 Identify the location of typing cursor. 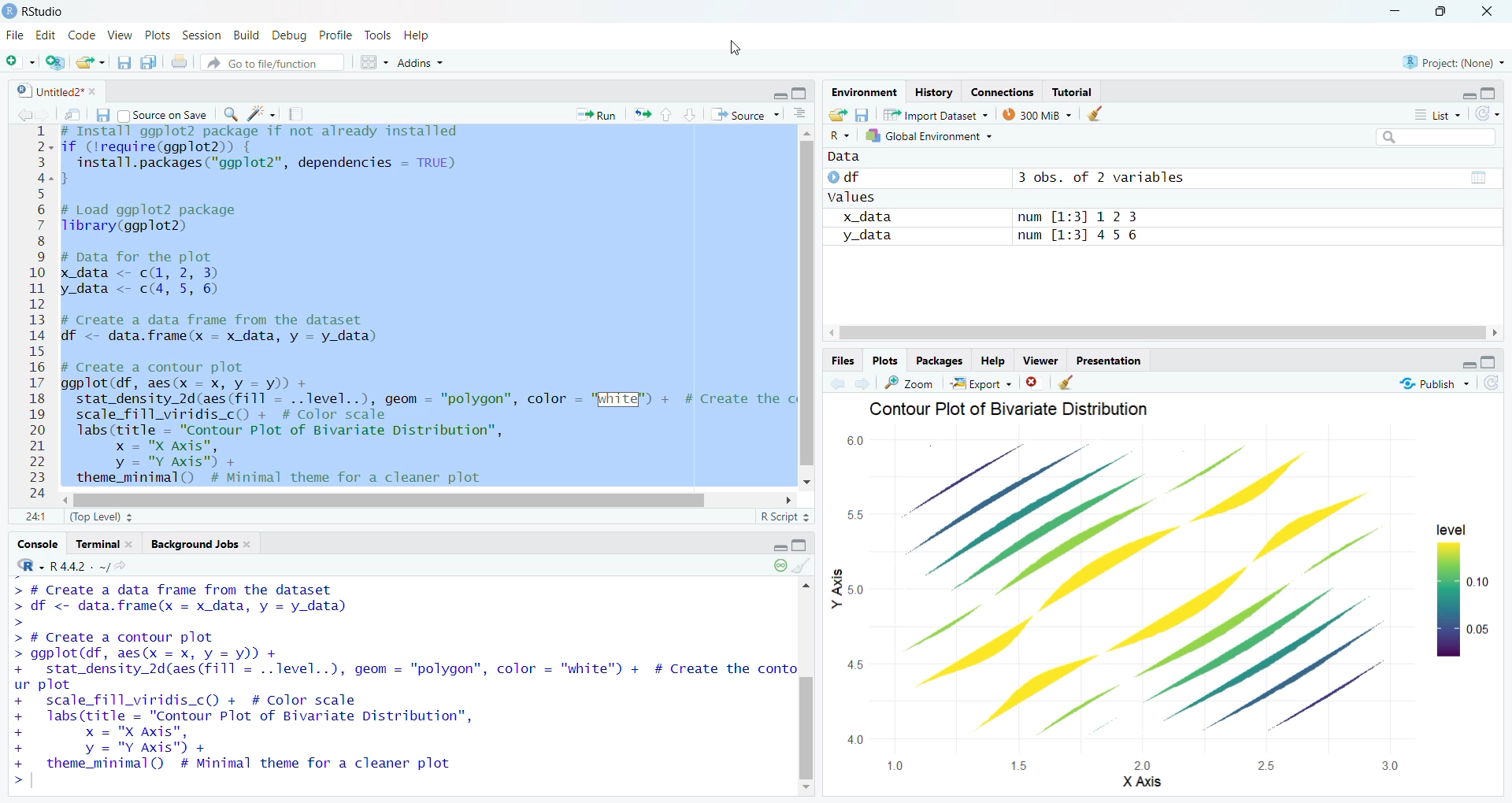
(31, 587).